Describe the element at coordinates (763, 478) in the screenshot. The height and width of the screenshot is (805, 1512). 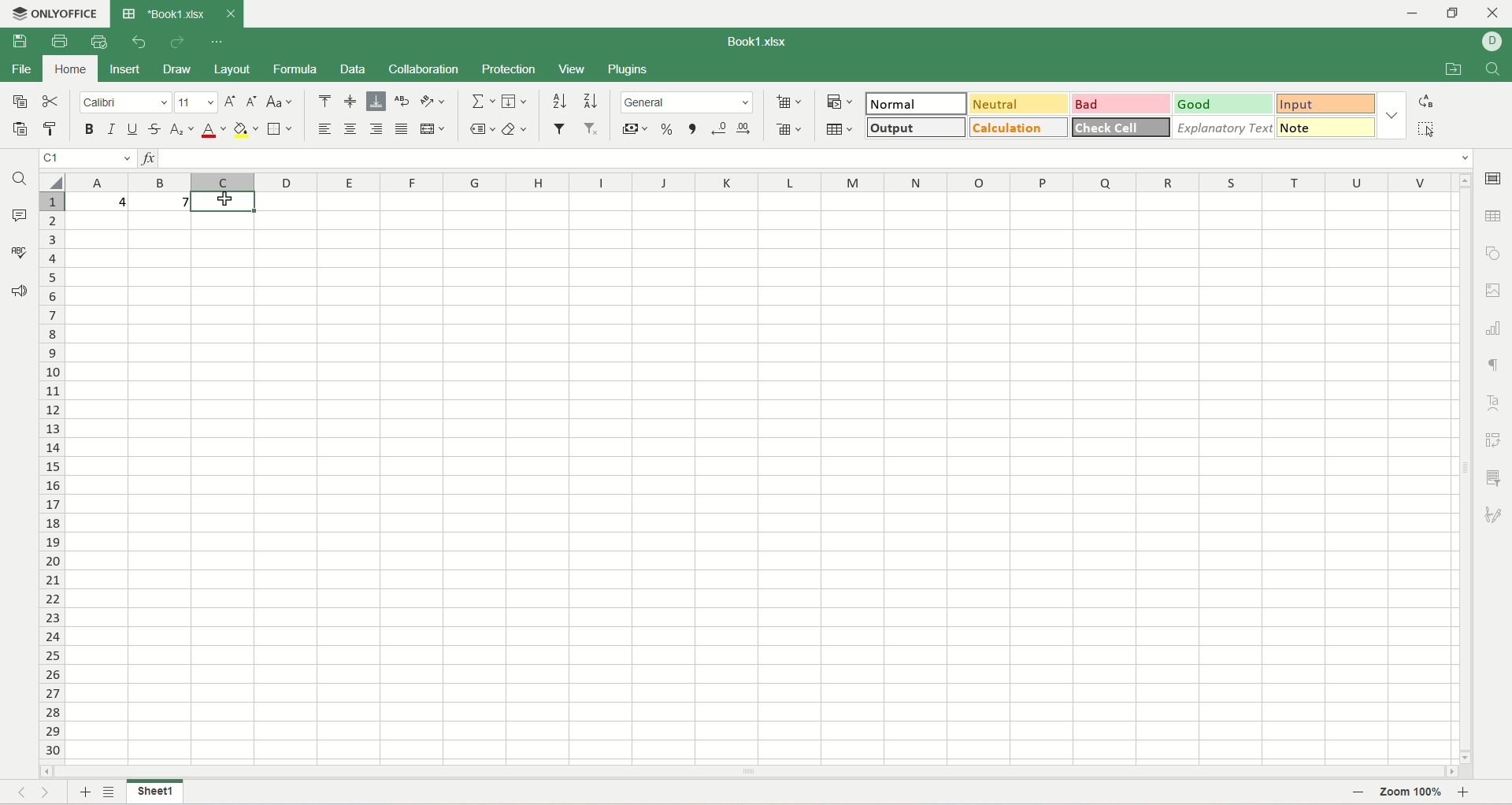
I see `worksheet` at that location.